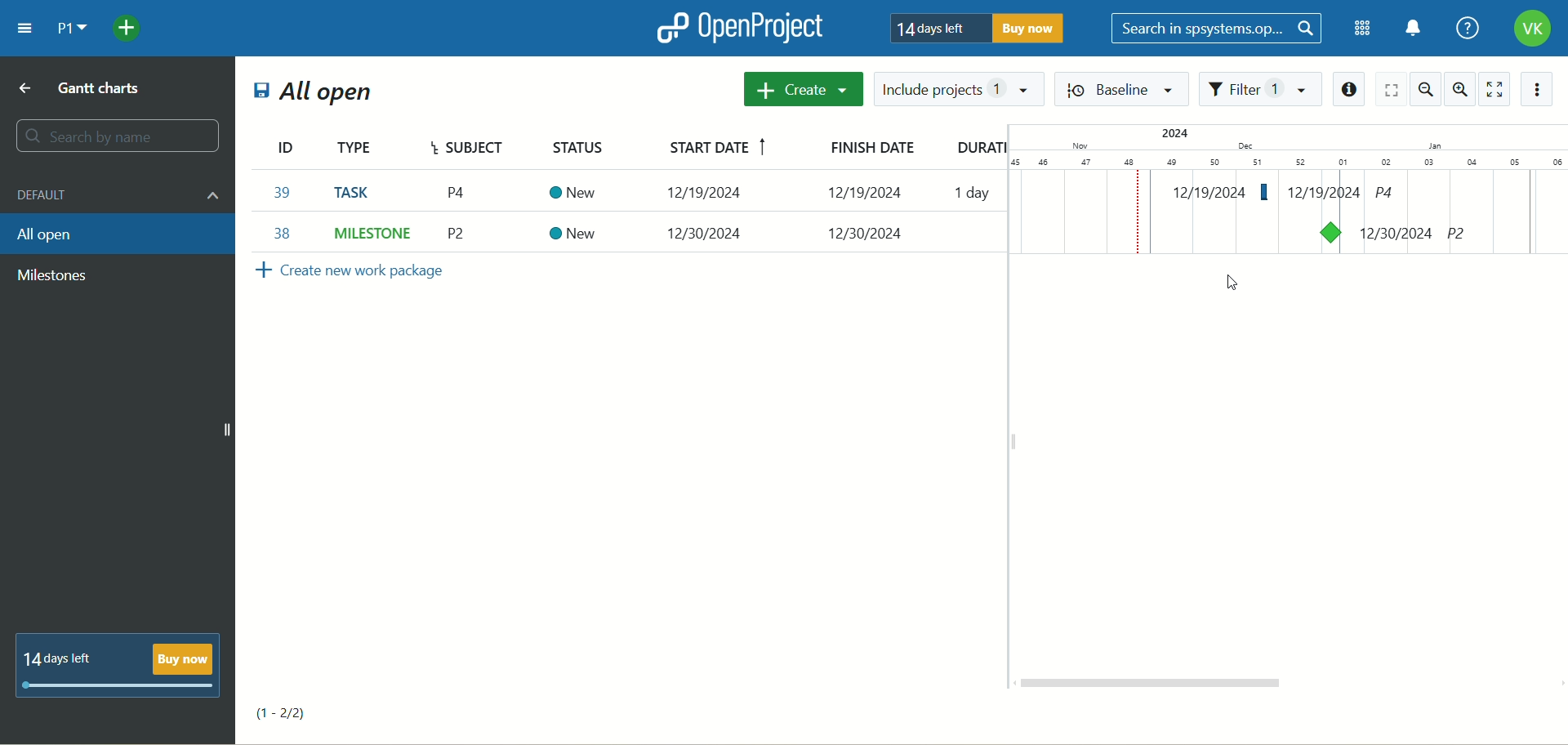  What do you see at coordinates (1412, 29) in the screenshot?
I see `notification` at bounding box center [1412, 29].